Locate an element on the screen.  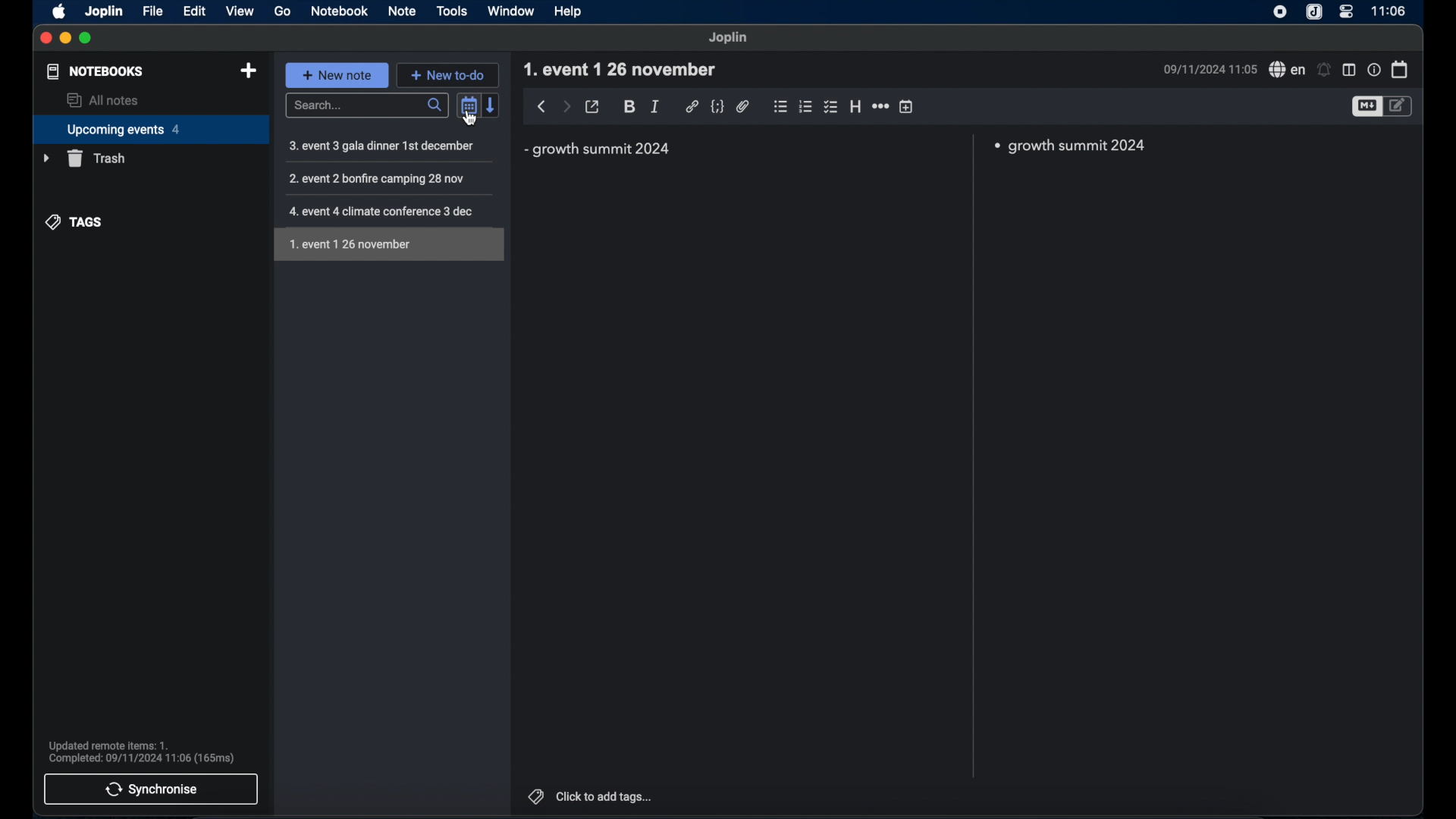
screen recorder icon is located at coordinates (1281, 11).